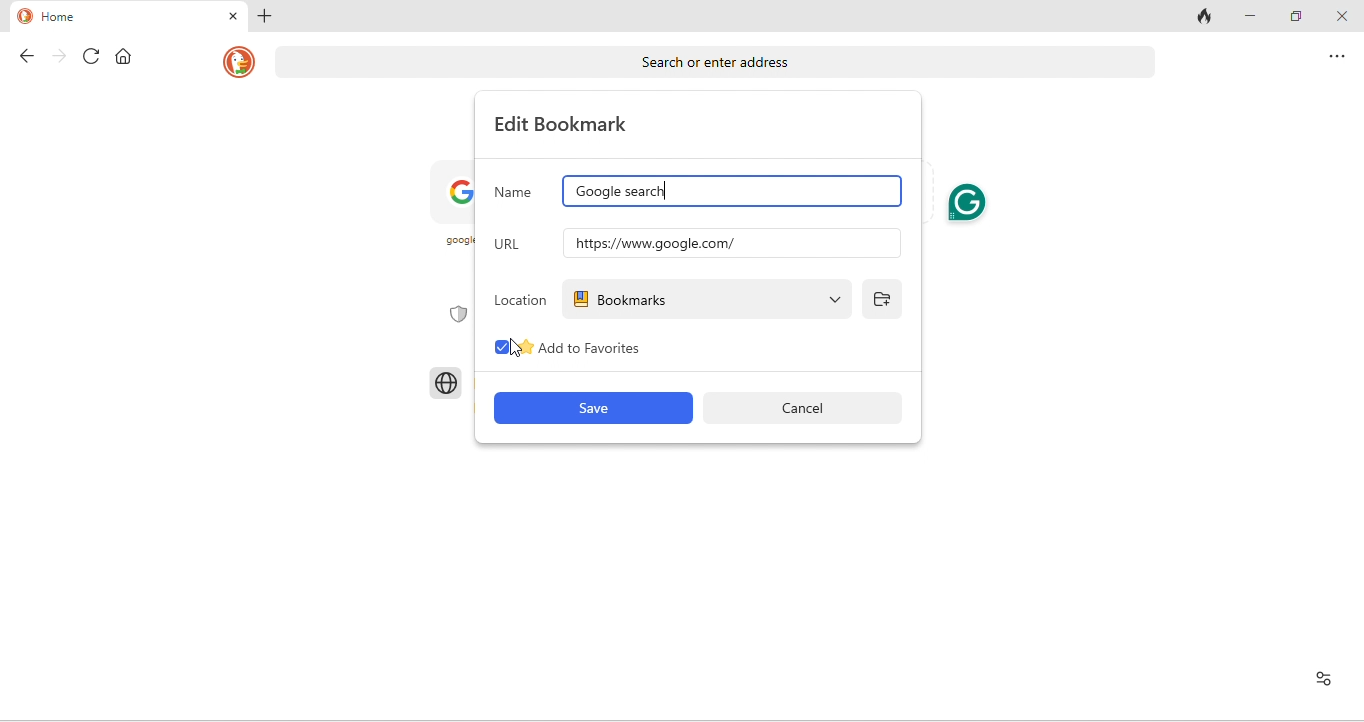  What do you see at coordinates (515, 241) in the screenshot?
I see `url` at bounding box center [515, 241].